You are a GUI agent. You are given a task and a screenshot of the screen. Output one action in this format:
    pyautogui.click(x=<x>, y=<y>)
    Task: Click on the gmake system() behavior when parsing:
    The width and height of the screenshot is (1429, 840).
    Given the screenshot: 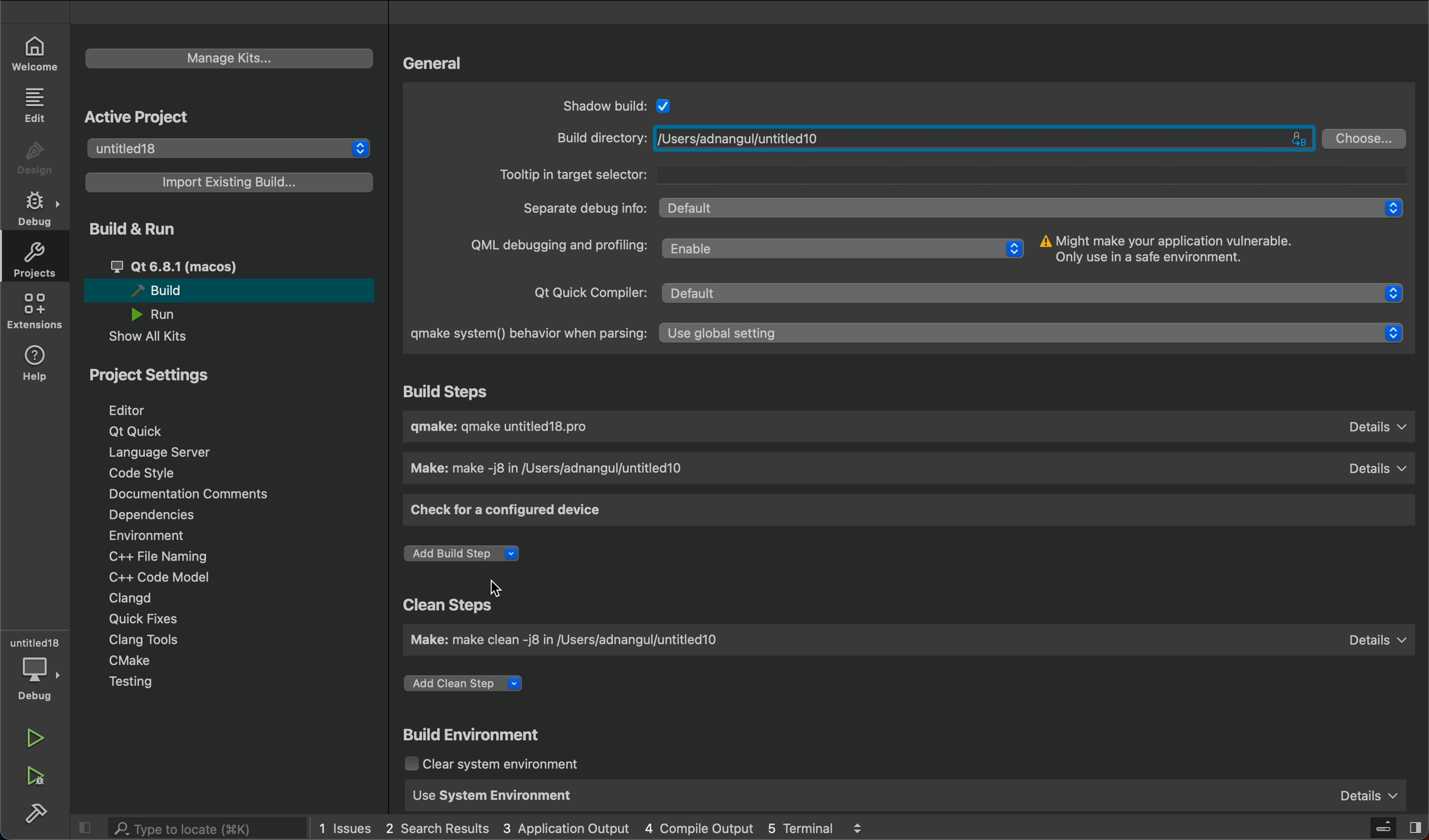 What is the action you would take?
    pyautogui.click(x=526, y=334)
    